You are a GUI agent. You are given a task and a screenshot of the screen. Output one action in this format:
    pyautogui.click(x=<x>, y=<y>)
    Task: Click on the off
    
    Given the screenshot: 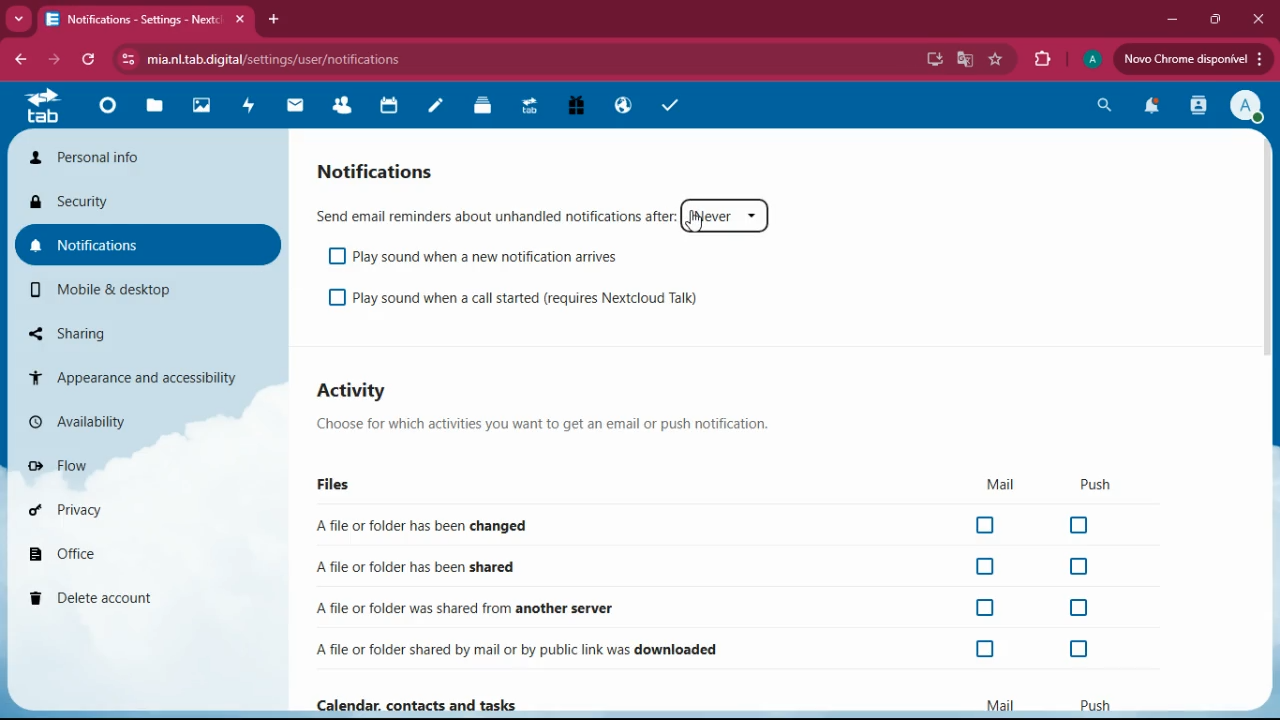 What is the action you would take?
    pyautogui.click(x=1078, y=650)
    